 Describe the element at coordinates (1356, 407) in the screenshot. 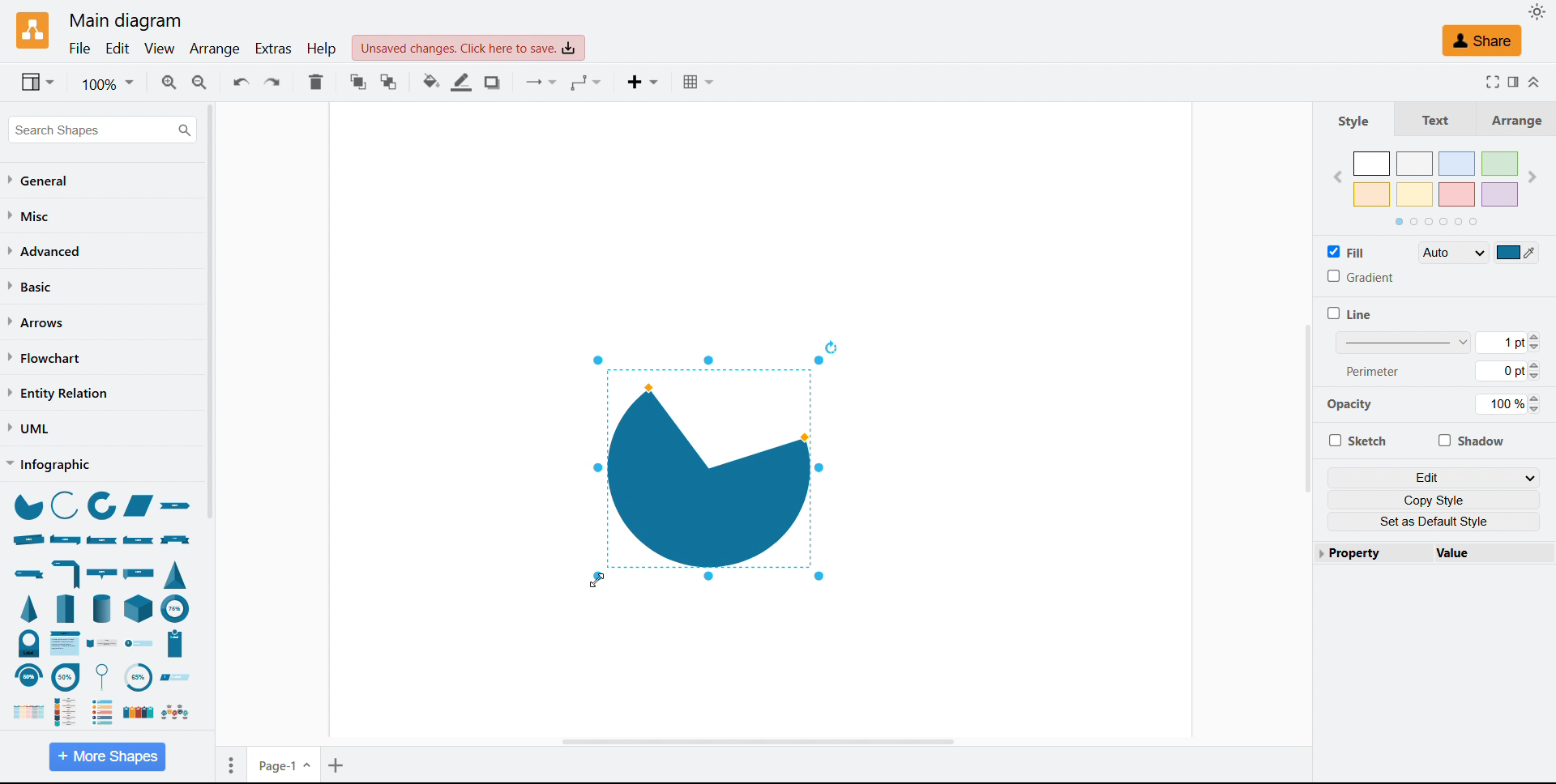

I see `opacity` at that location.